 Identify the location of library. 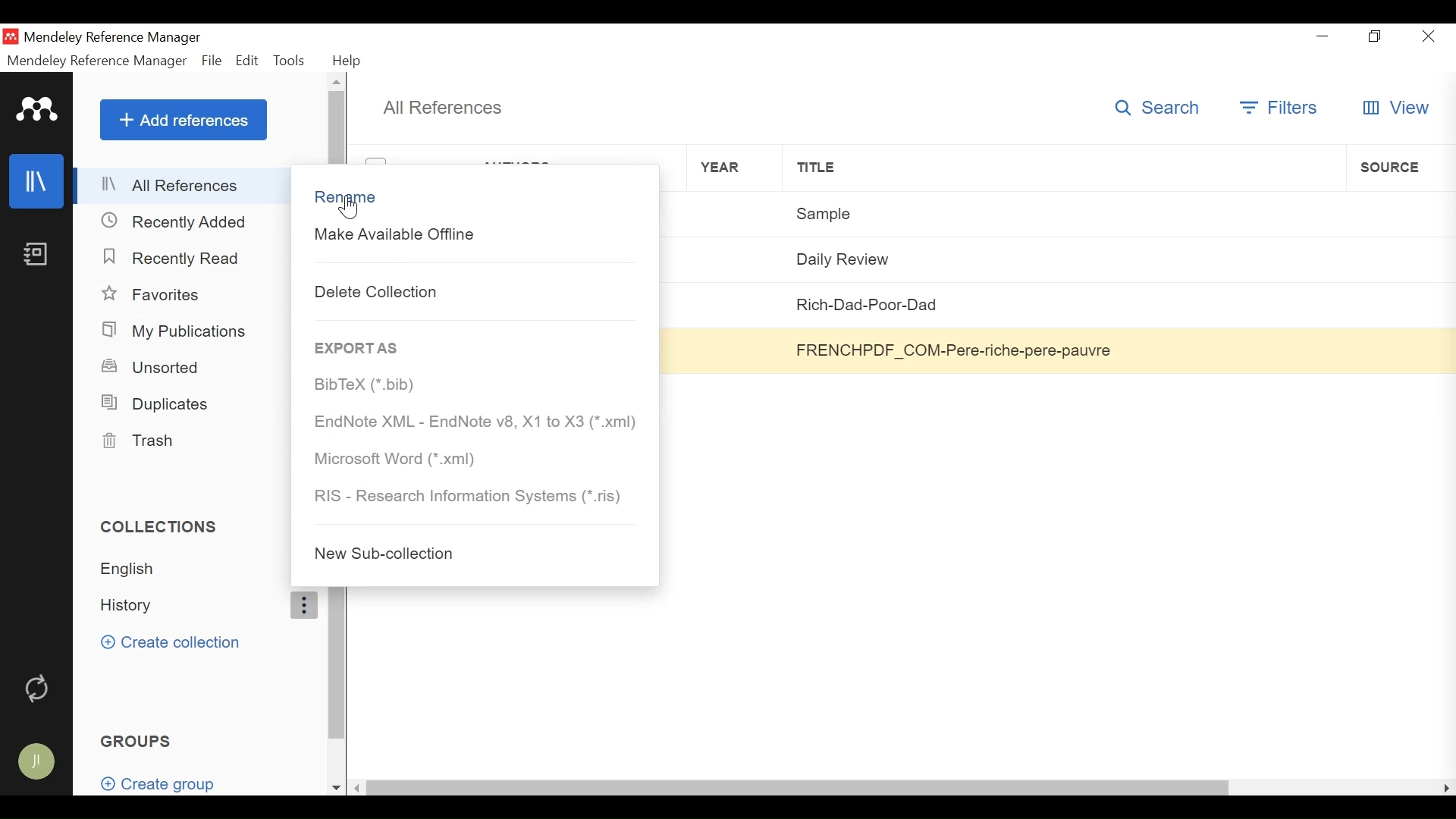
(37, 182).